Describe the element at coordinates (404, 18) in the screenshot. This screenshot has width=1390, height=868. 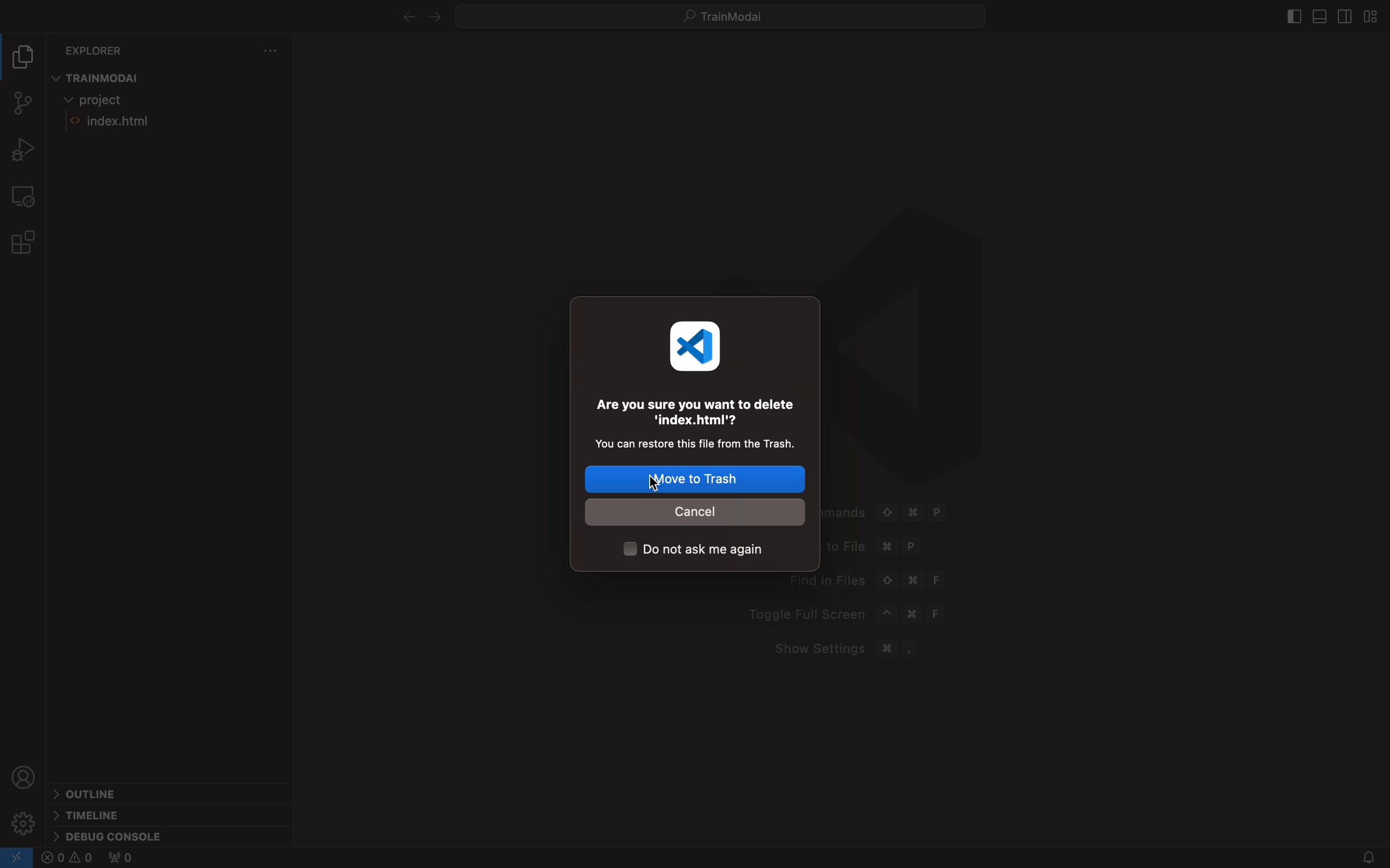
I see `arrows` at that location.